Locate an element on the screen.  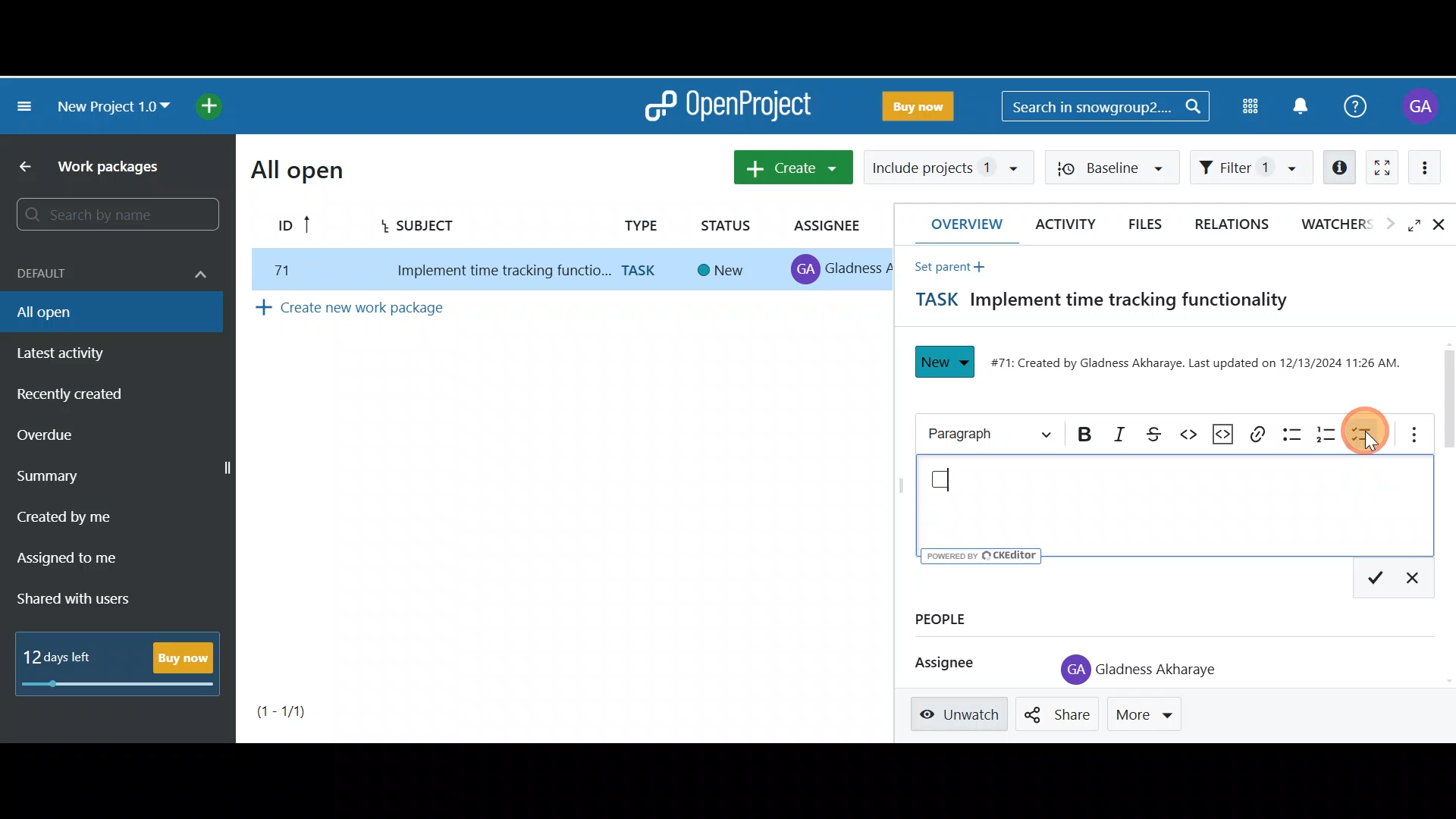
Latest activity is located at coordinates (74, 352).